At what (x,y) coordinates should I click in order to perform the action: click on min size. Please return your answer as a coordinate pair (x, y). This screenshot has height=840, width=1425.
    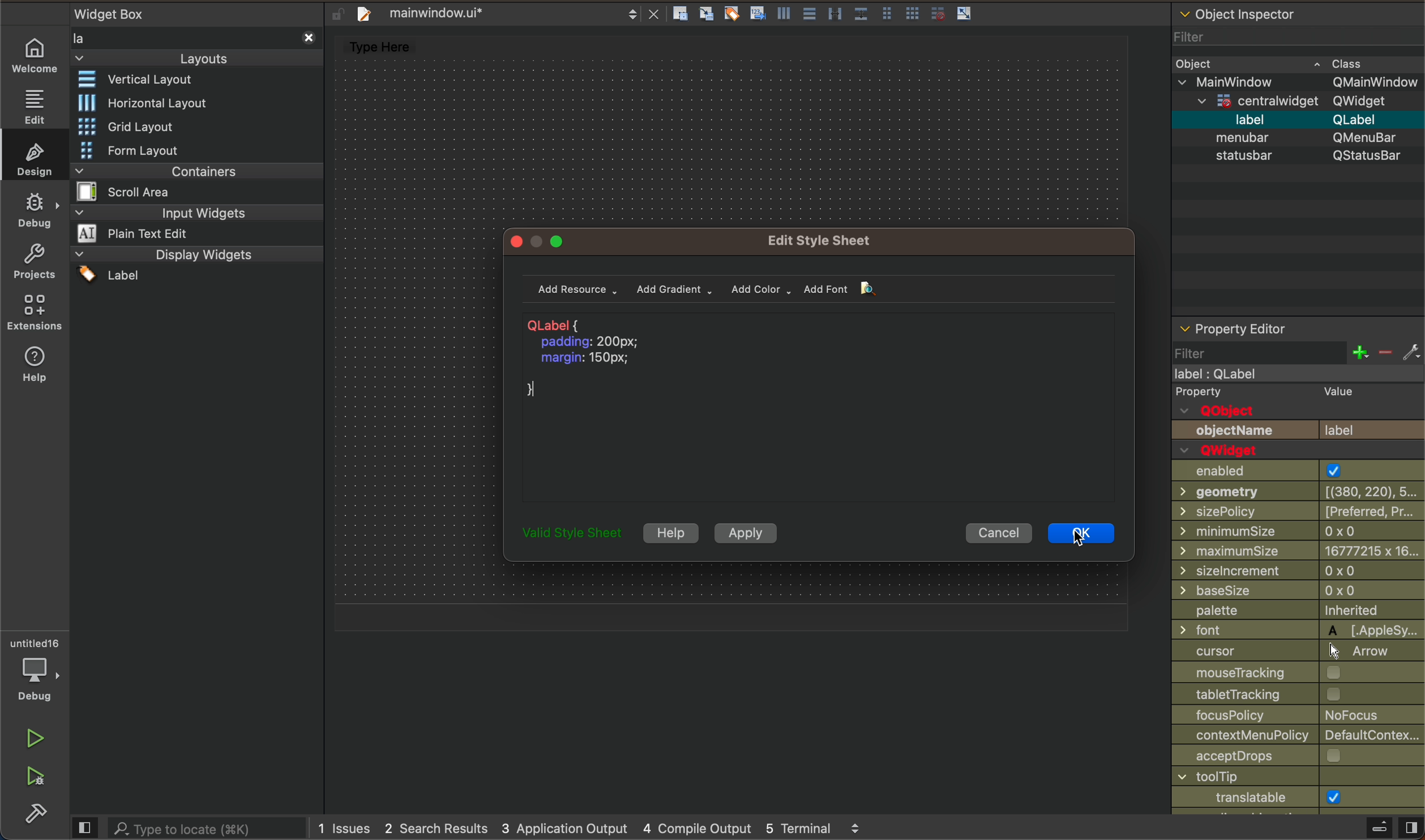
    Looking at the image, I should click on (1299, 530).